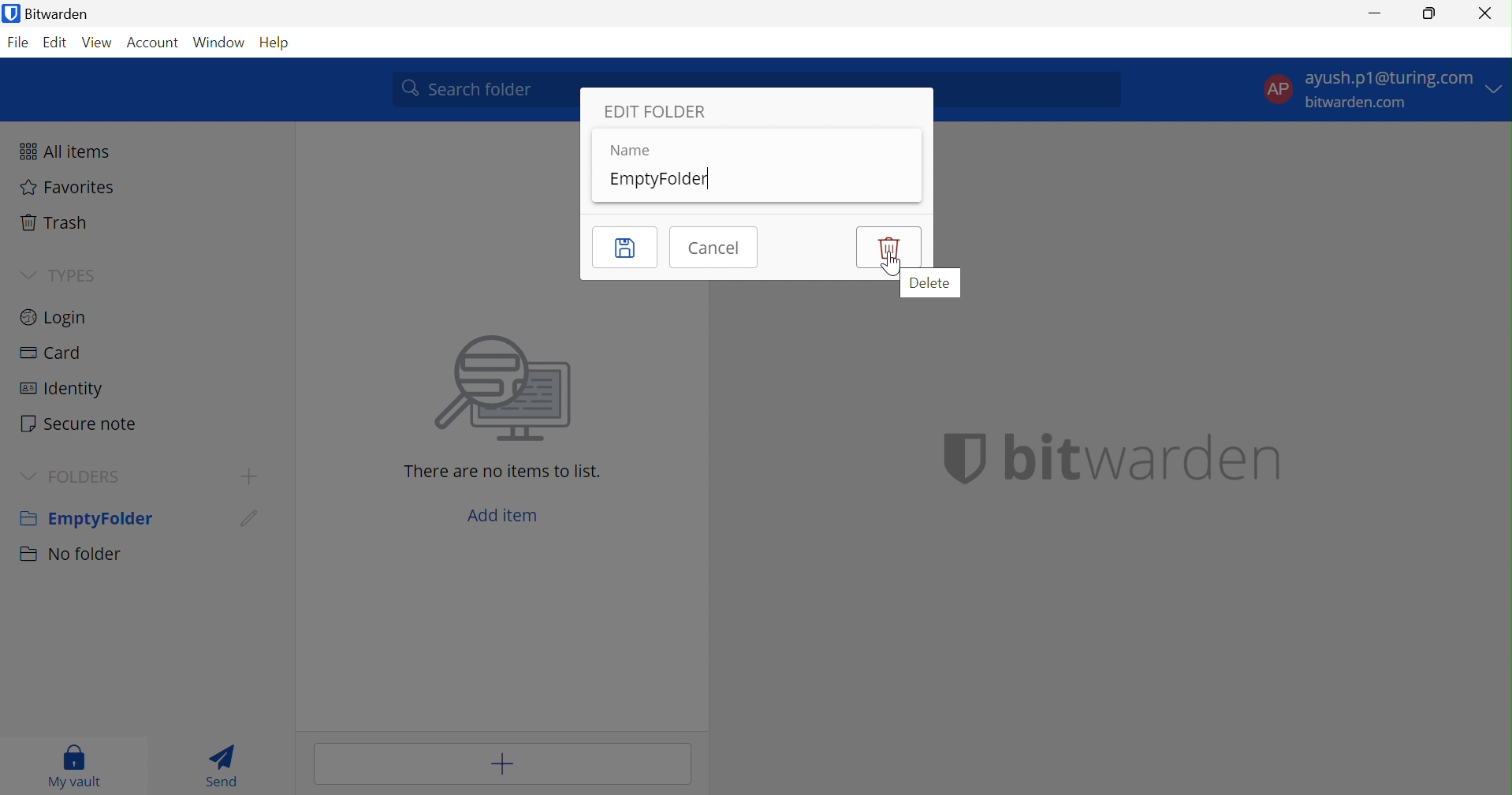  I want to click on Identity, so click(63, 392).